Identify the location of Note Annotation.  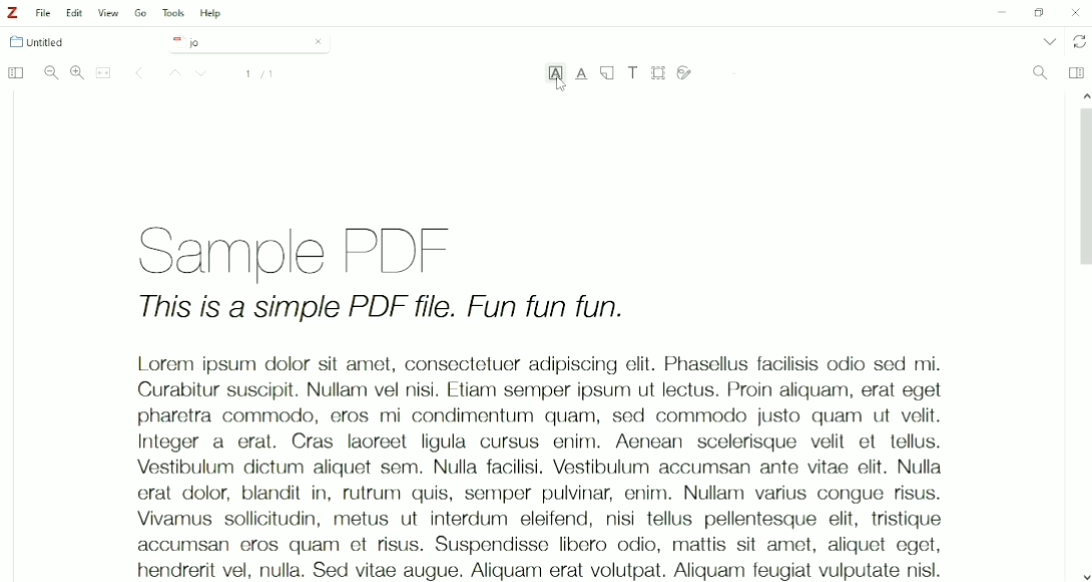
(607, 74).